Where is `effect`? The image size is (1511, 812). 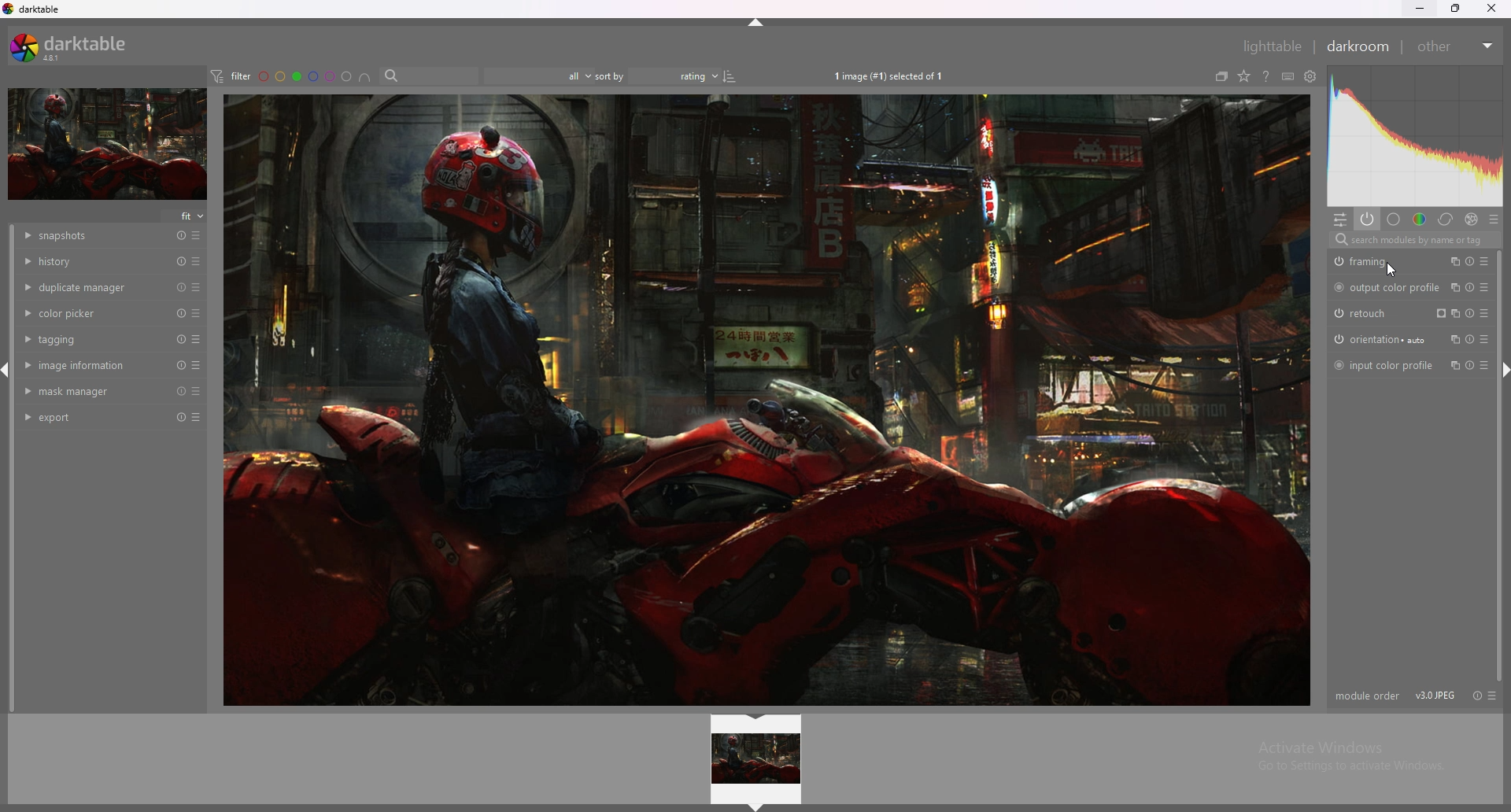 effect is located at coordinates (1469, 218).